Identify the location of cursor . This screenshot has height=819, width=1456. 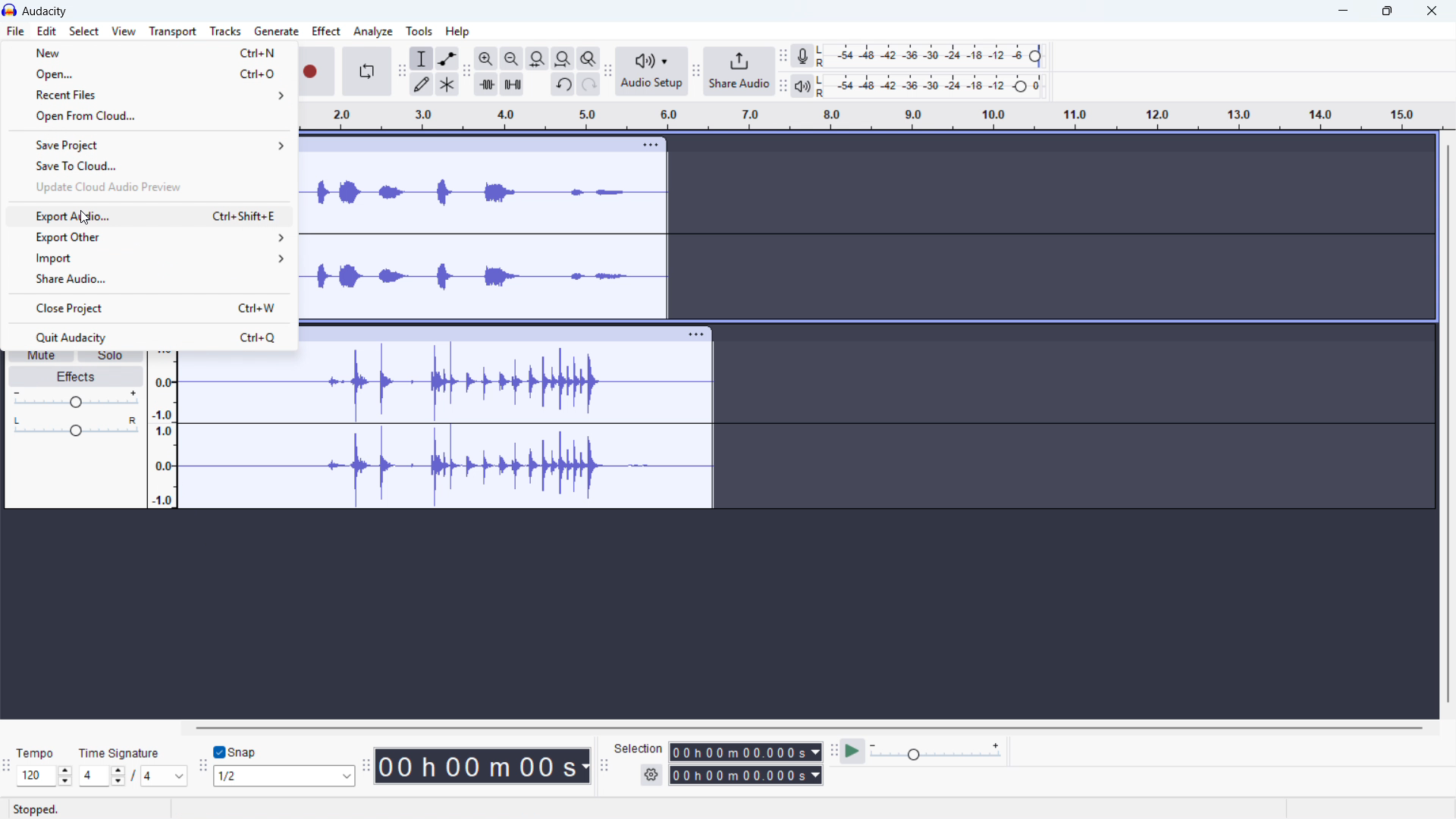
(86, 218).